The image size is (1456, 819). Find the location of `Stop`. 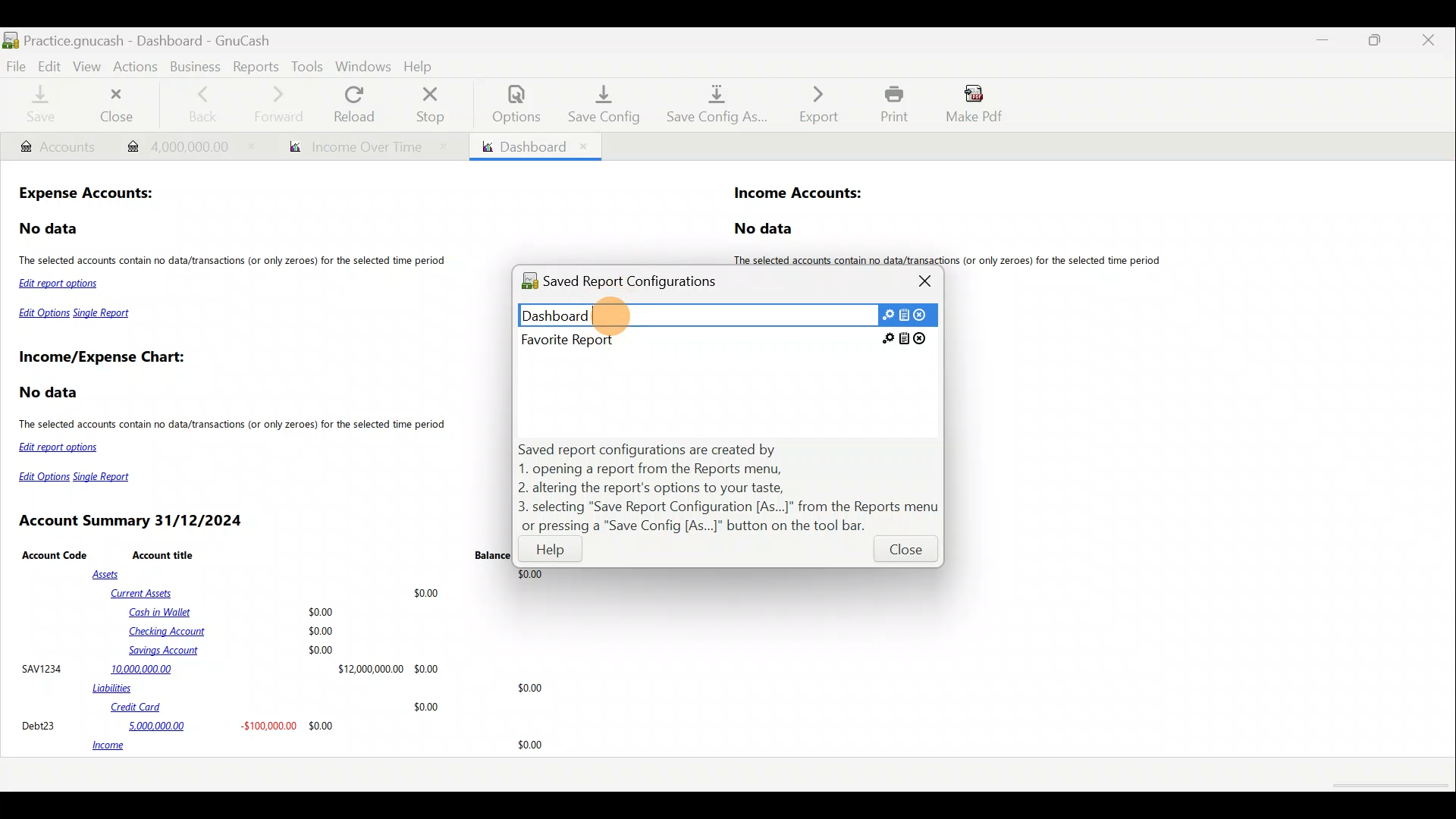

Stop is located at coordinates (435, 104).